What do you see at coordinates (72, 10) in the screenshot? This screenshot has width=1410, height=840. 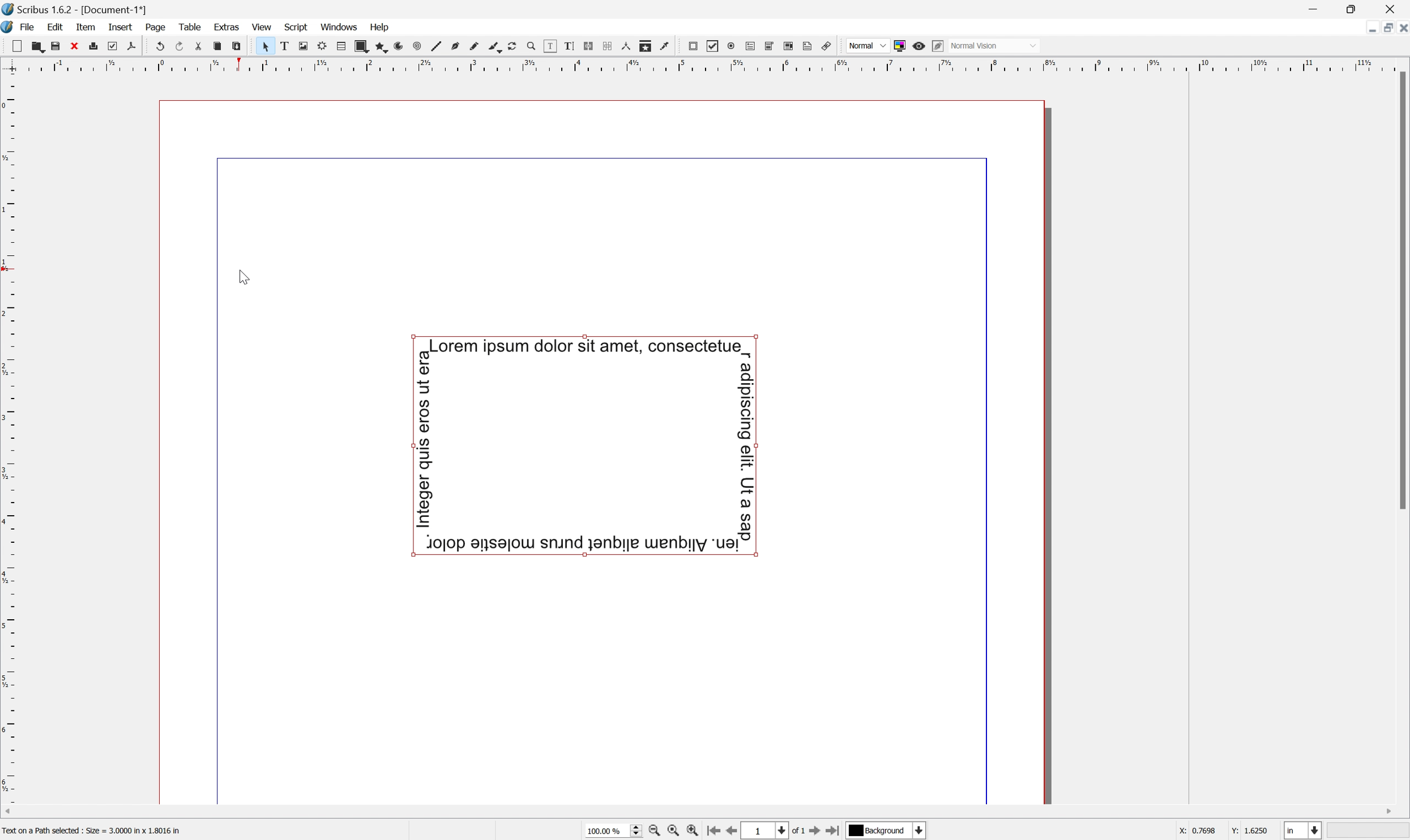 I see `Scribus 1.6.2 - [Document-1*]` at bounding box center [72, 10].